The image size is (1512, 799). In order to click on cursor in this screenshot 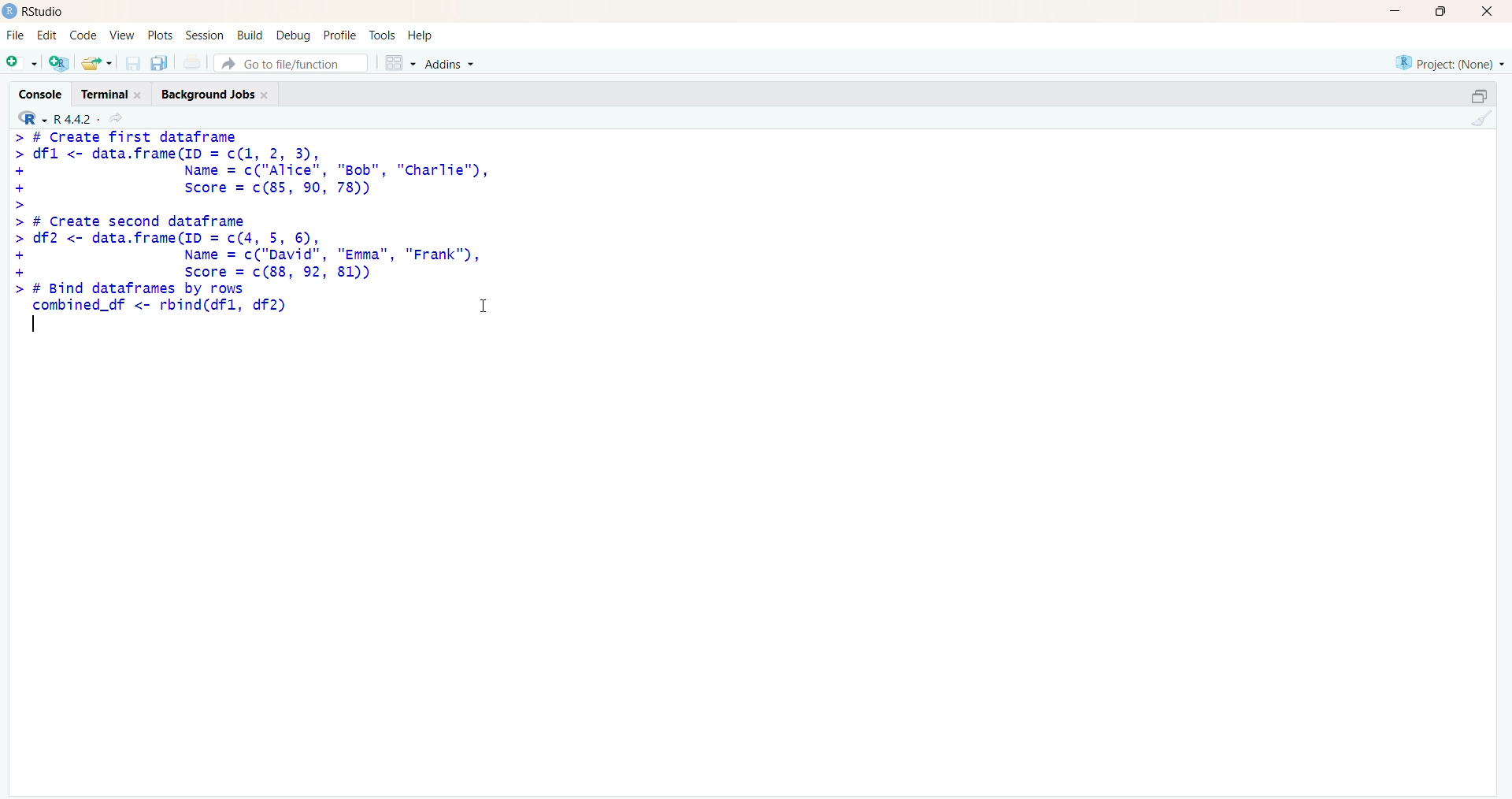, I will do `click(486, 304)`.